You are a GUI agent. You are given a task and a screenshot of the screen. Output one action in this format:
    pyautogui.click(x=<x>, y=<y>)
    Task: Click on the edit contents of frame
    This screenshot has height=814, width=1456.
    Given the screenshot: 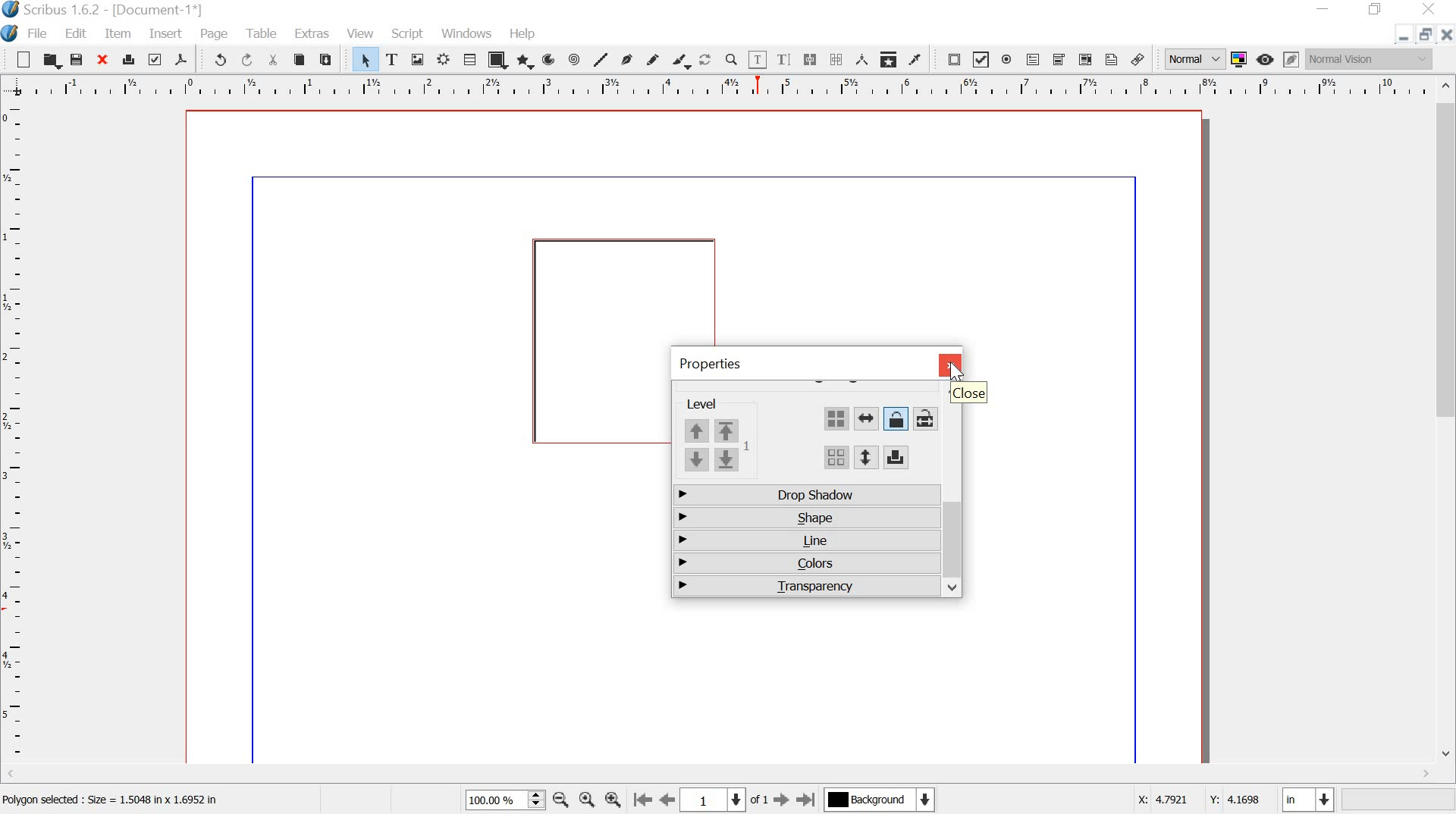 What is the action you would take?
    pyautogui.click(x=757, y=60)
    